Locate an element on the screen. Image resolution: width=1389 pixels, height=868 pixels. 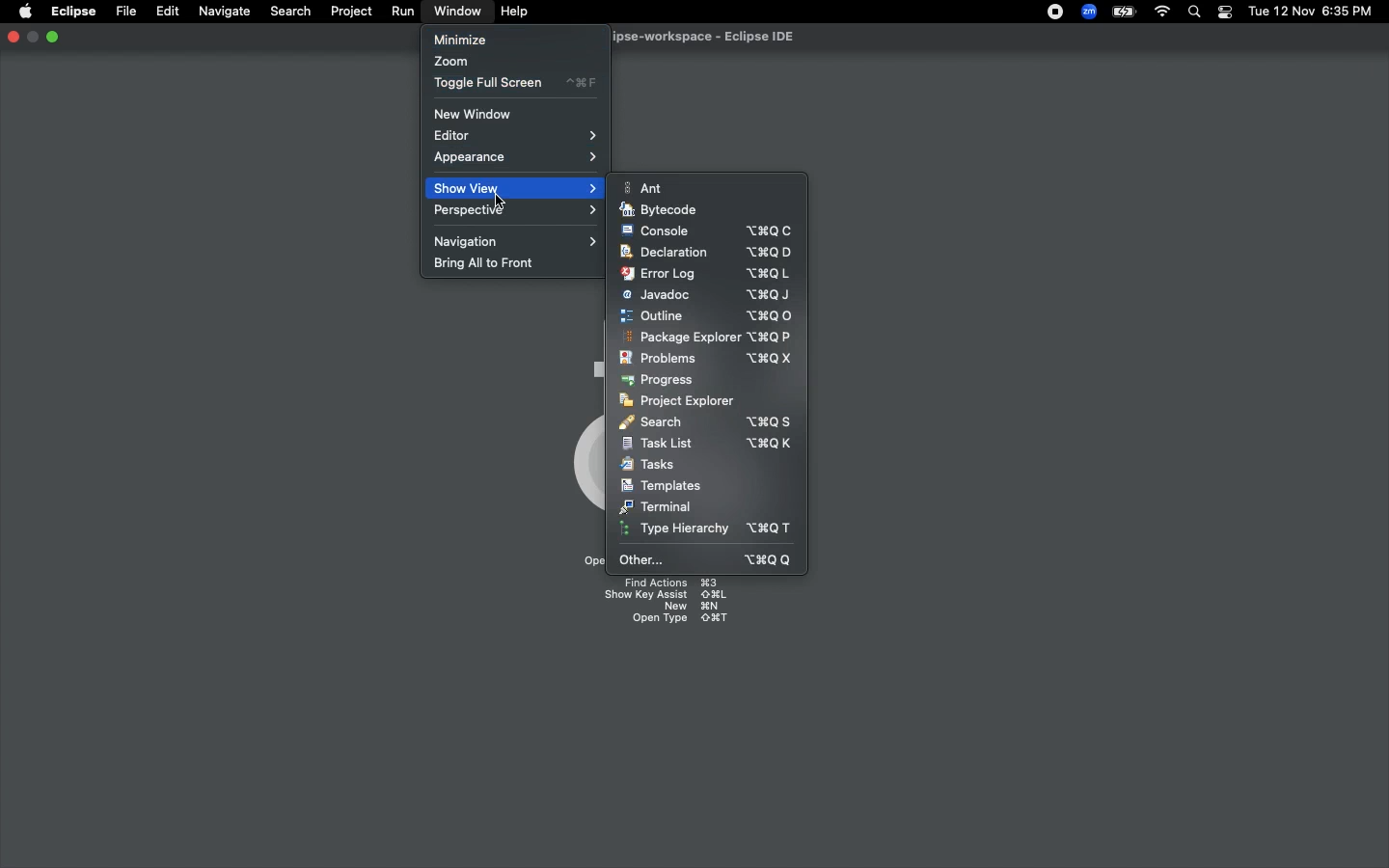
Edit is located at coordinates (168, 12).